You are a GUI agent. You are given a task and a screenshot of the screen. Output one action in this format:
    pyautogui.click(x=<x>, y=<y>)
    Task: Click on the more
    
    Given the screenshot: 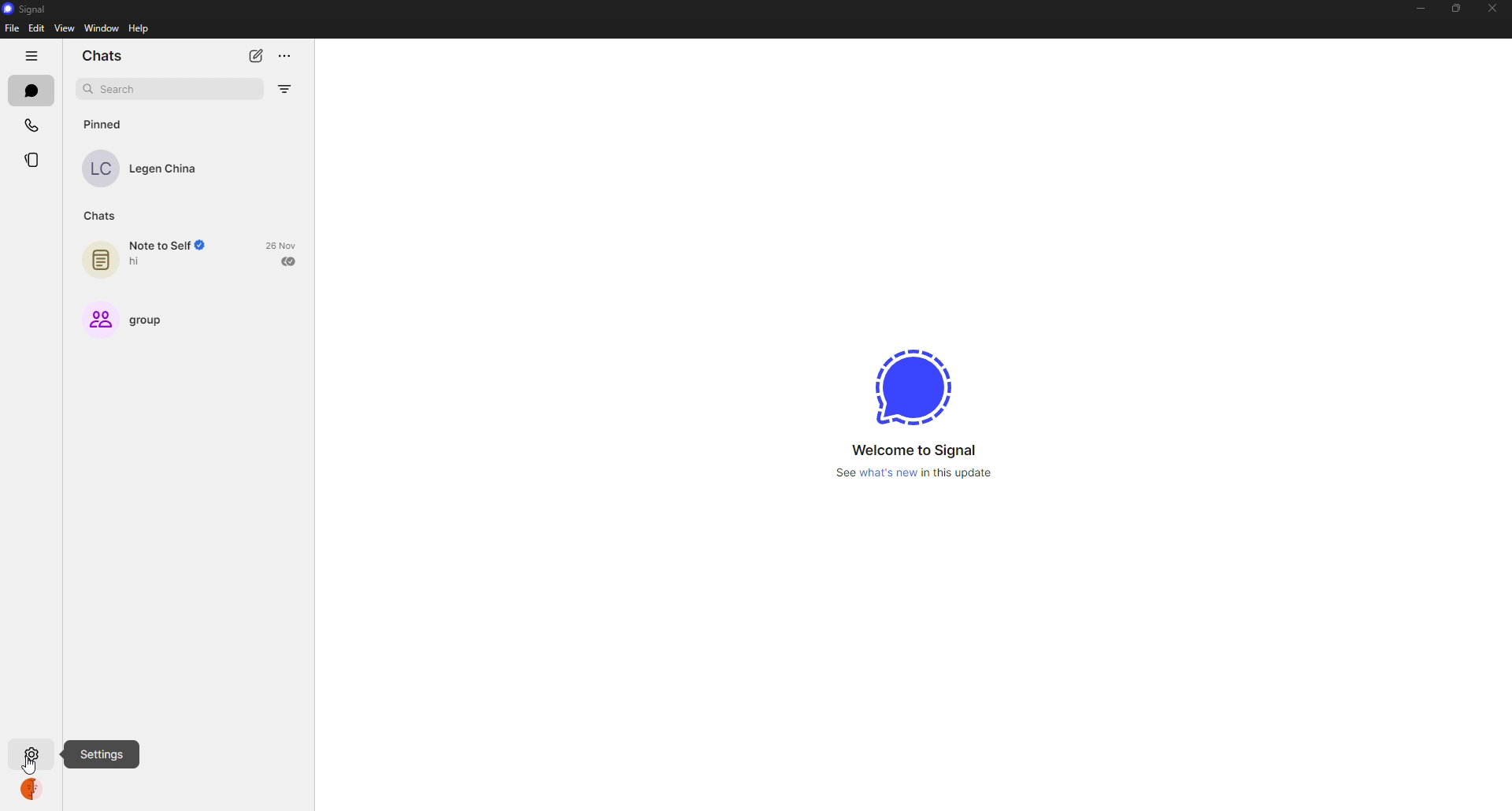 What is the action you would take?
    pyautogui.click(x=287, y=54)
    